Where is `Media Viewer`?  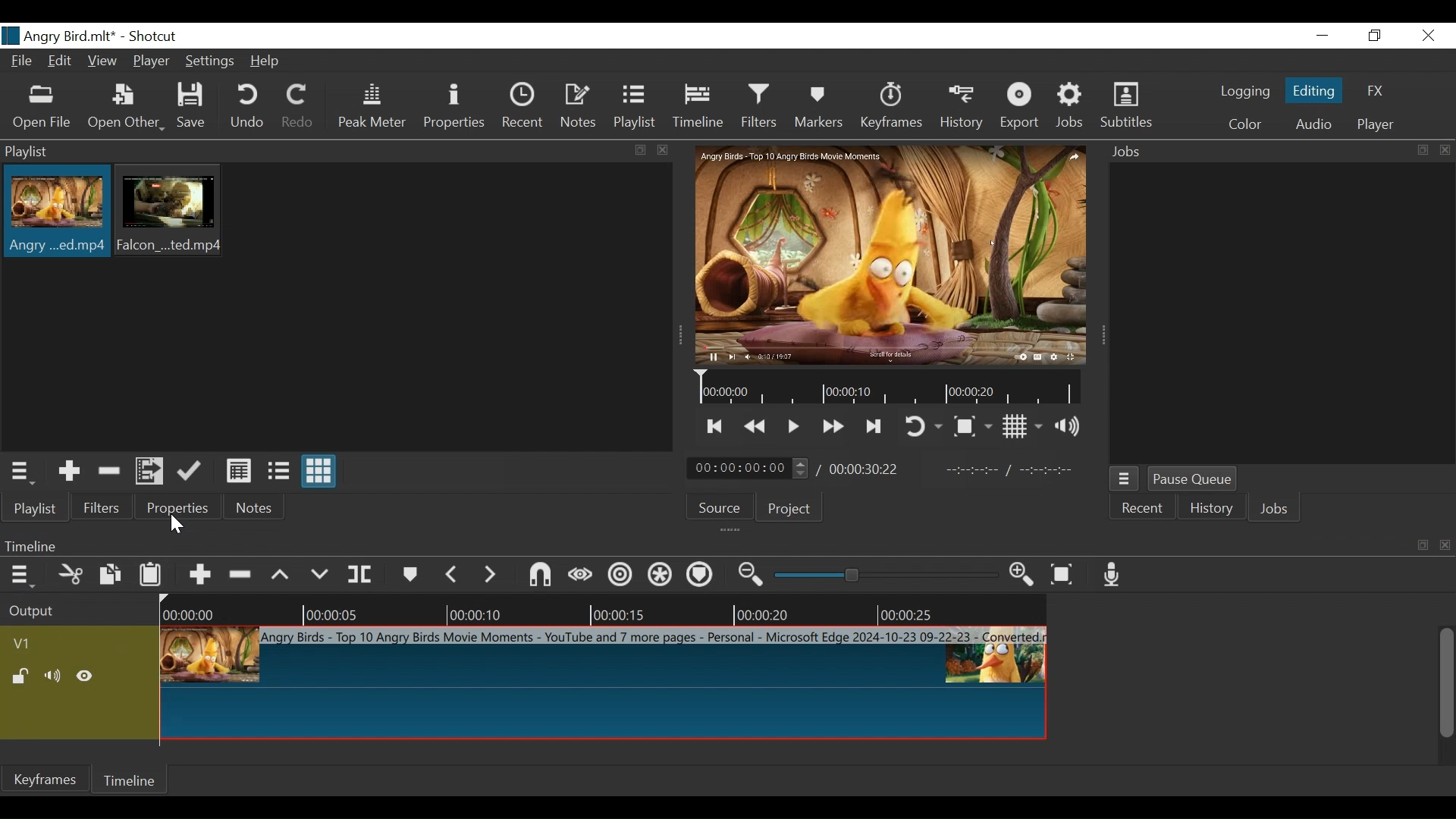
Media Viewer is located at coordinates (891, 251).